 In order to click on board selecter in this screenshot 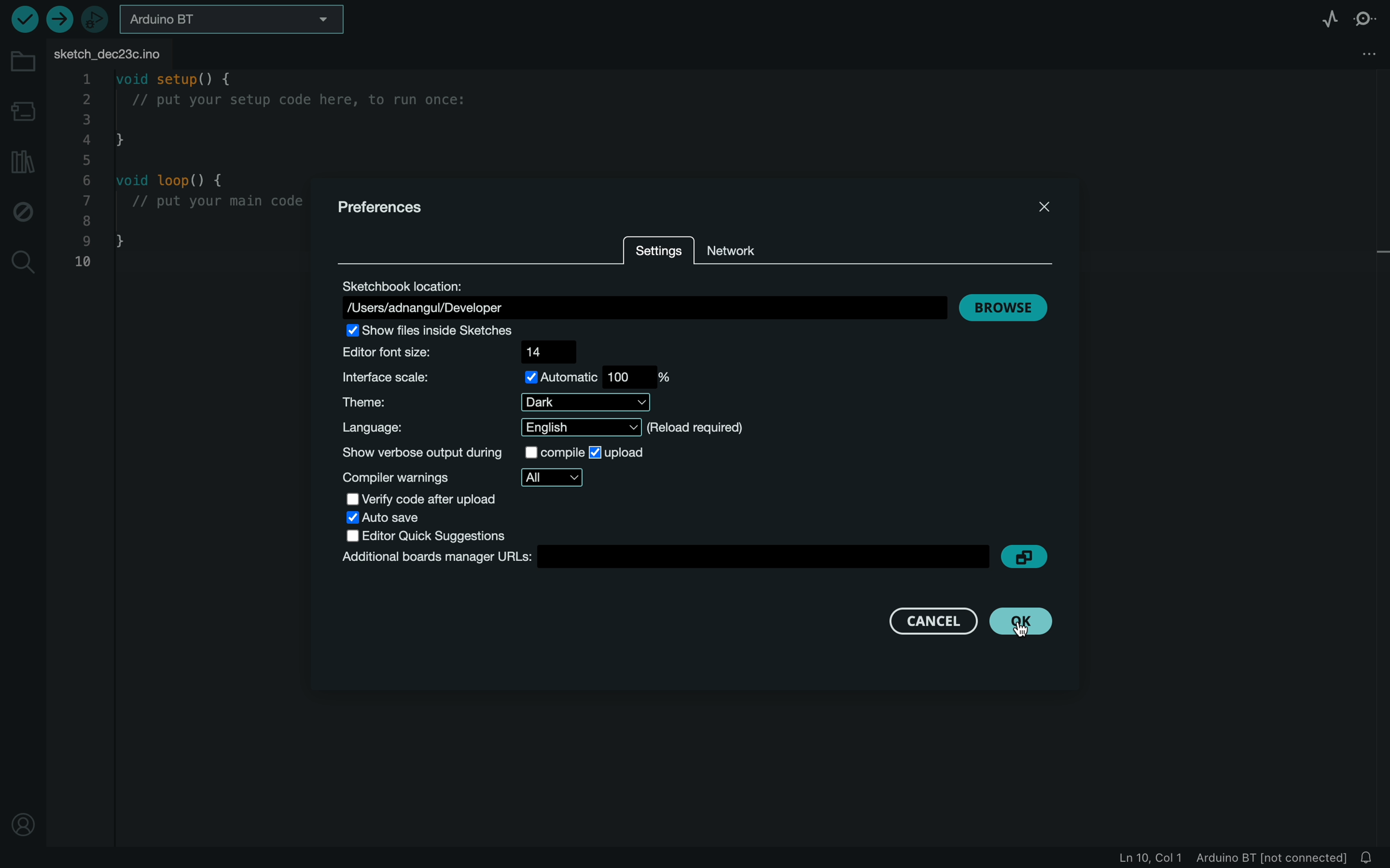, I will do `click(230, 19)`.